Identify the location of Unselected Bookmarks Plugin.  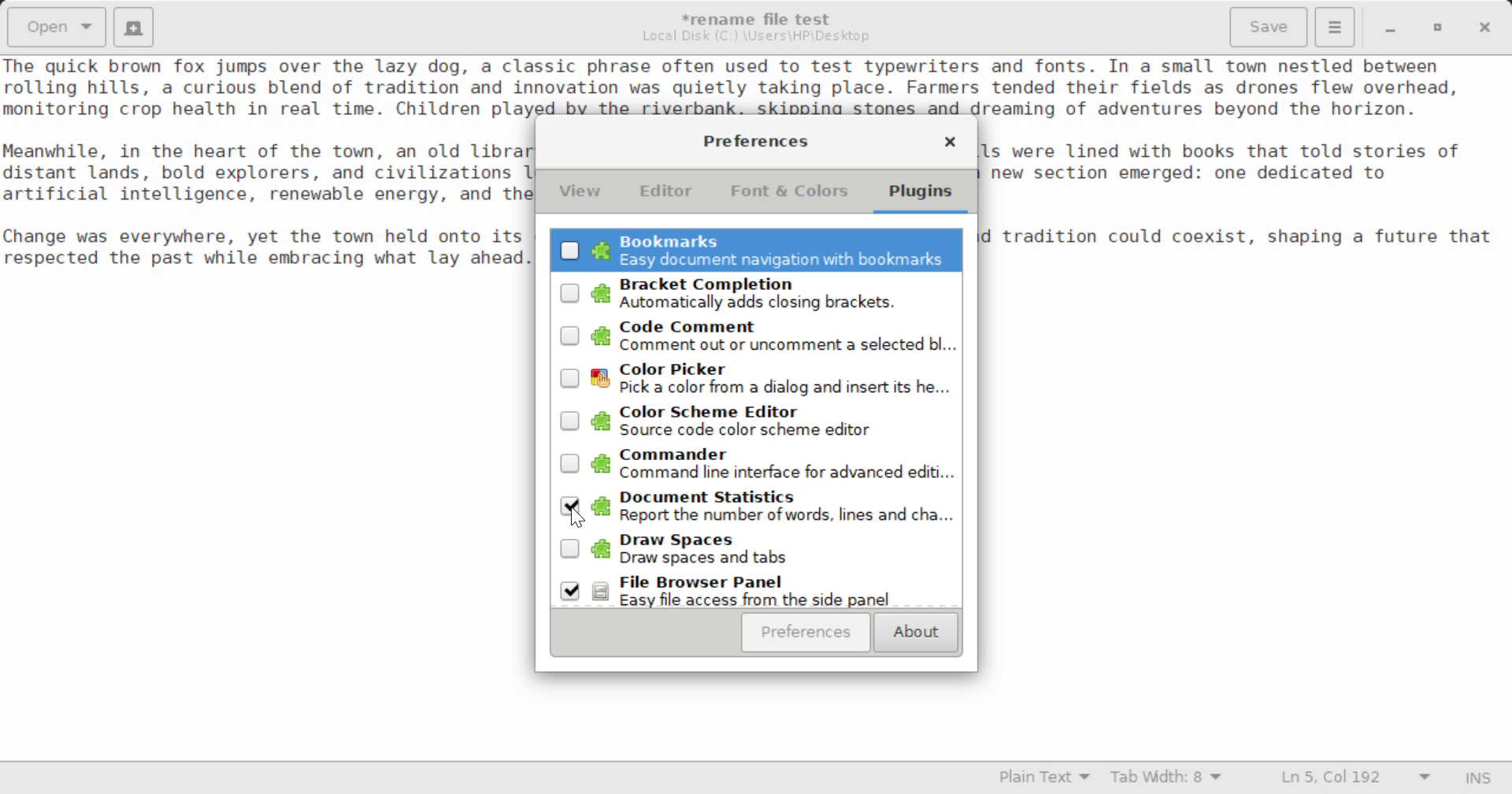
(758, 250).